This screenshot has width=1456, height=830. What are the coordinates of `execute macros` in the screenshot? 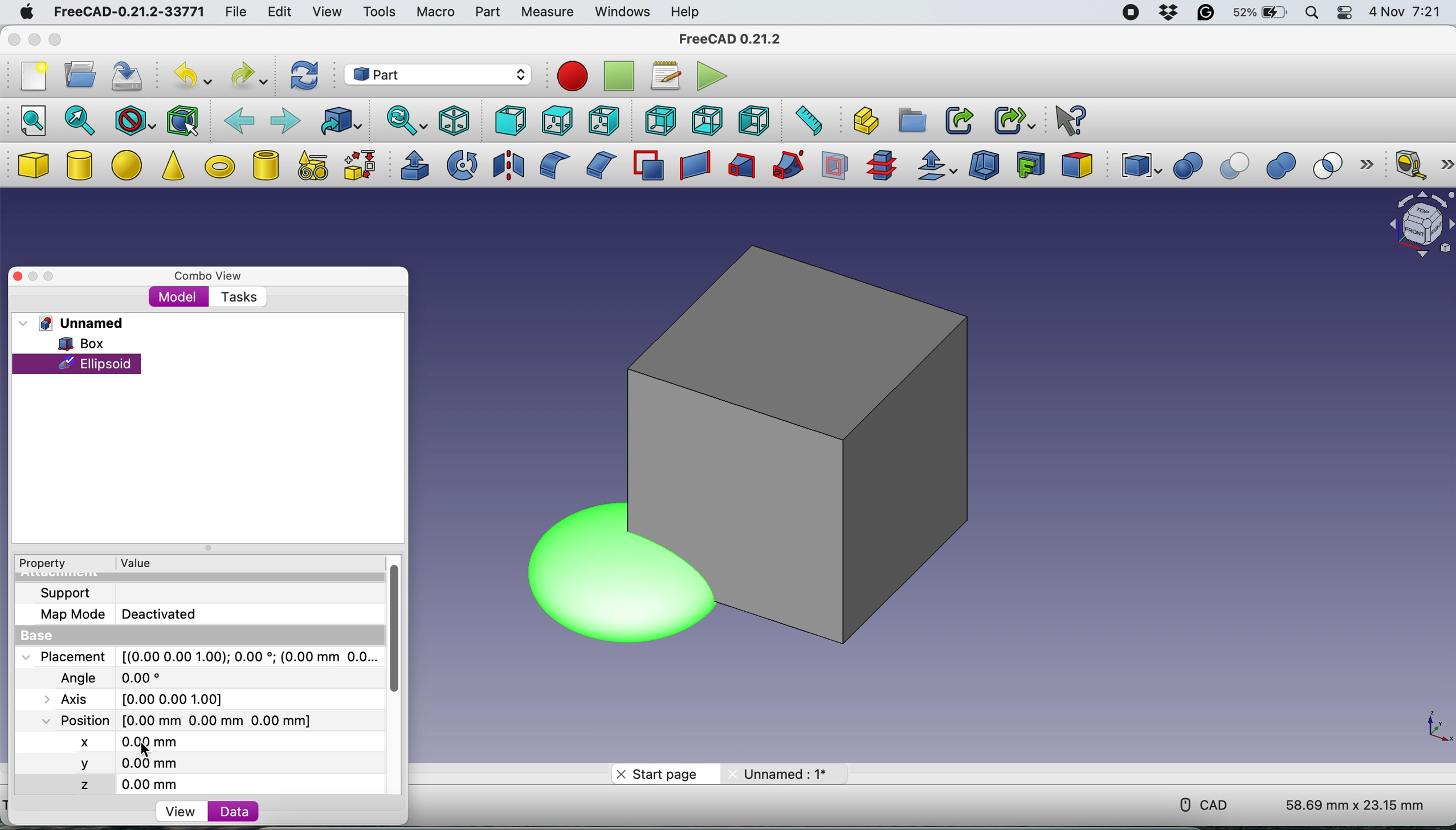 It's located at (710, 78).